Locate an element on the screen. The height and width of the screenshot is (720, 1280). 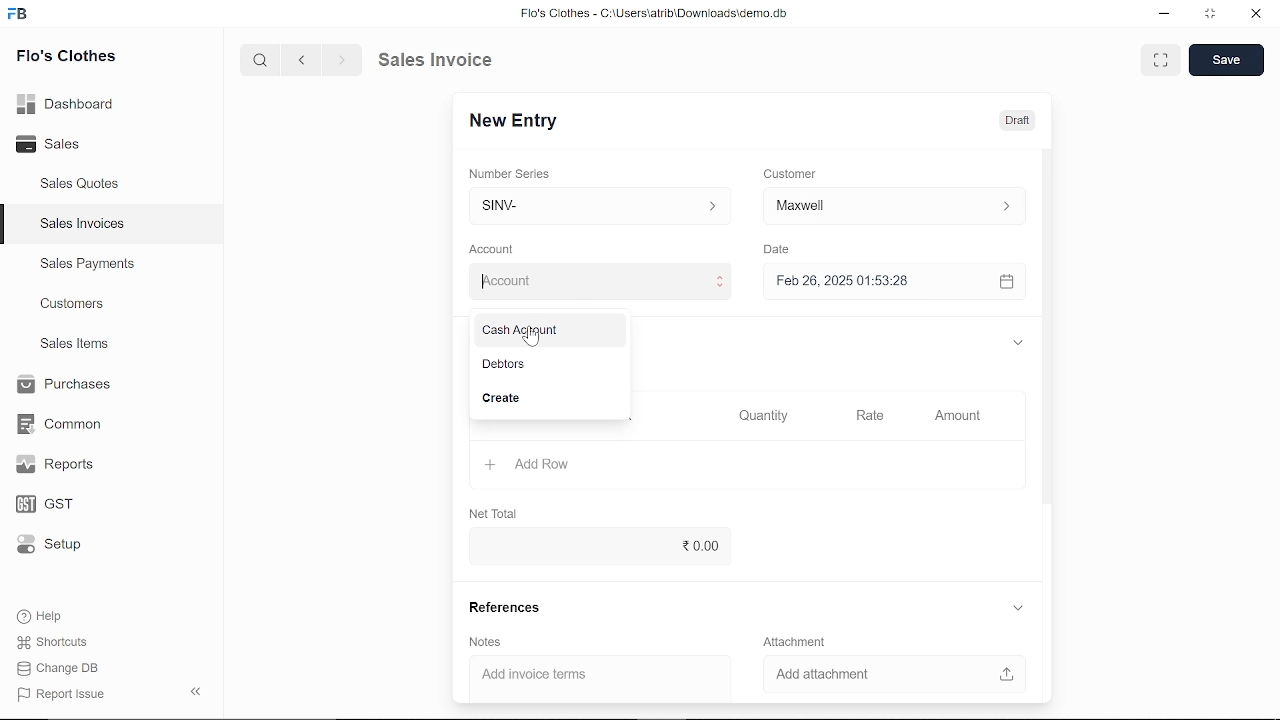
SINV-  is located at coordinates (595, 206).